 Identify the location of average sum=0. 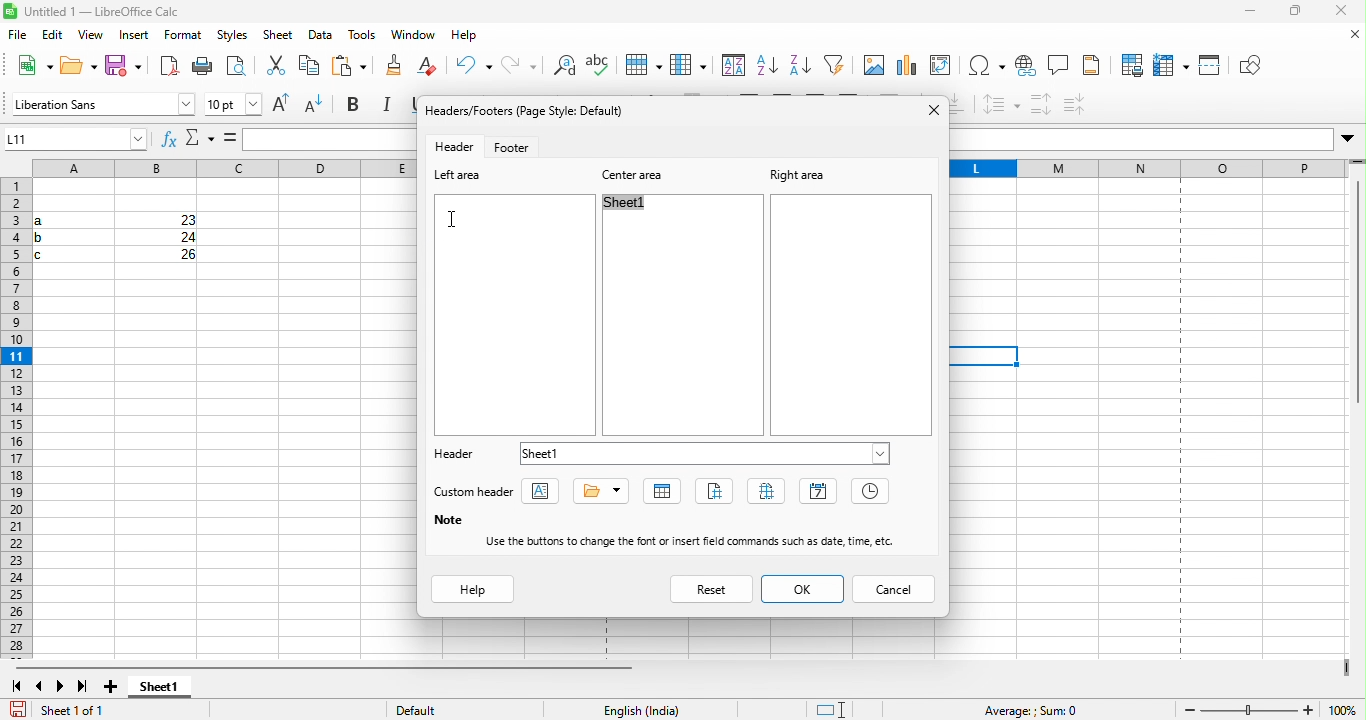
(1027, 708).